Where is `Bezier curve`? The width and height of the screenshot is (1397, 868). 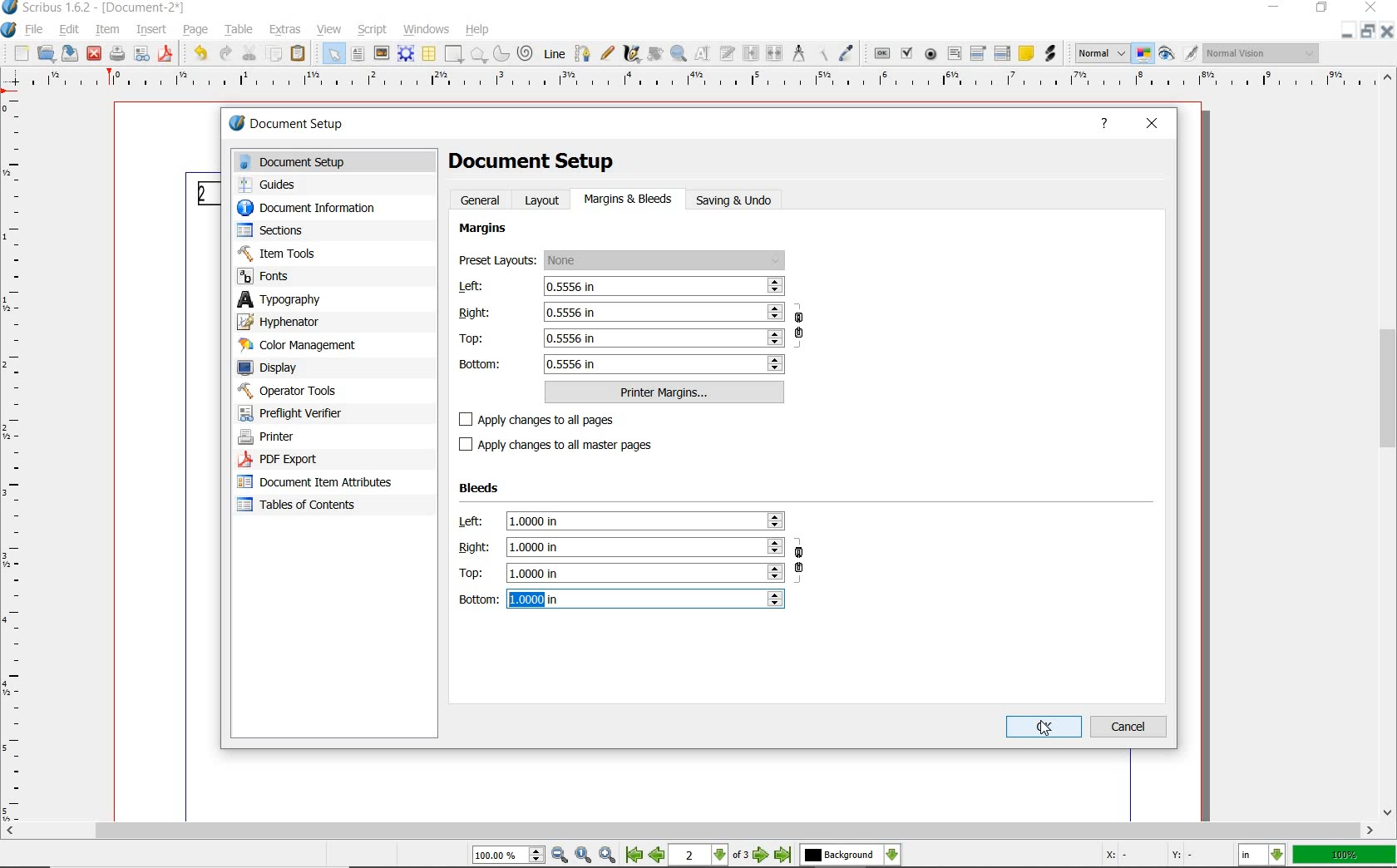
Bezier curve is located at coordinates (583, 53).